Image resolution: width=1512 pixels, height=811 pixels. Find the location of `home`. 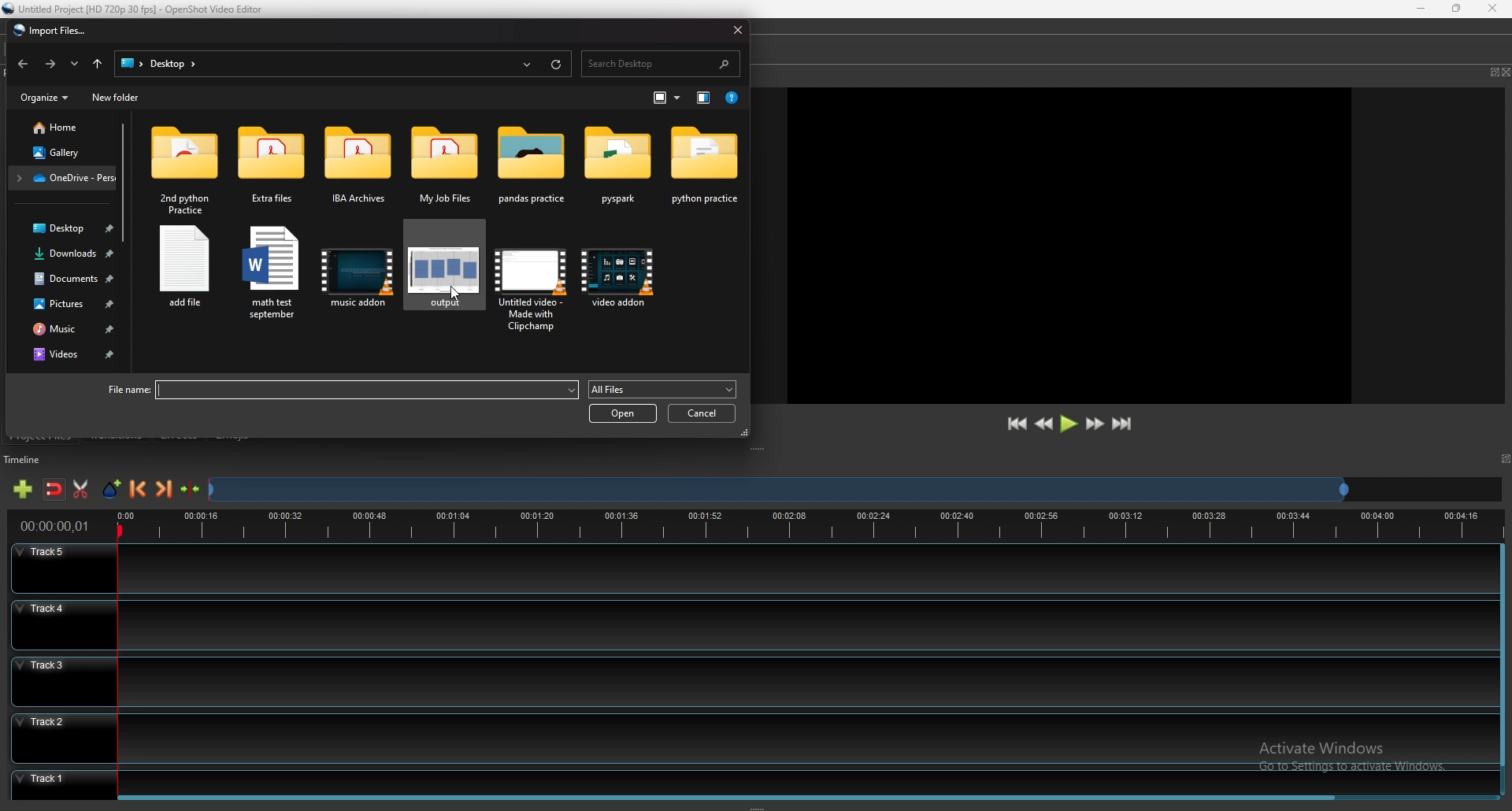

home is located at coordinates (64, 127).